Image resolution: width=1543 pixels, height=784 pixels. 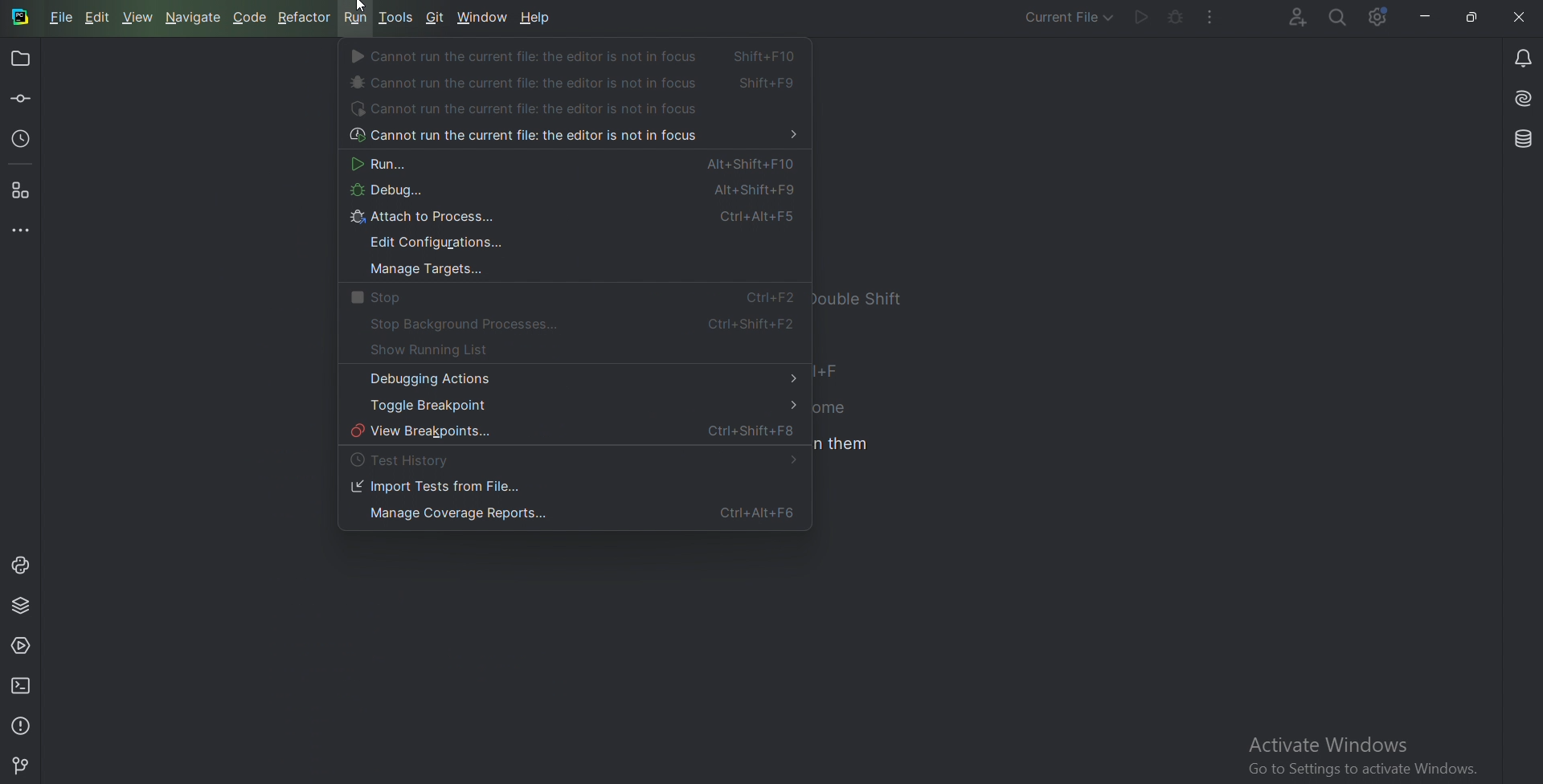 What do you see at coordinates (1068, 19) in the screenshot?
I see `Current file` at bounding box center [1068, 19].